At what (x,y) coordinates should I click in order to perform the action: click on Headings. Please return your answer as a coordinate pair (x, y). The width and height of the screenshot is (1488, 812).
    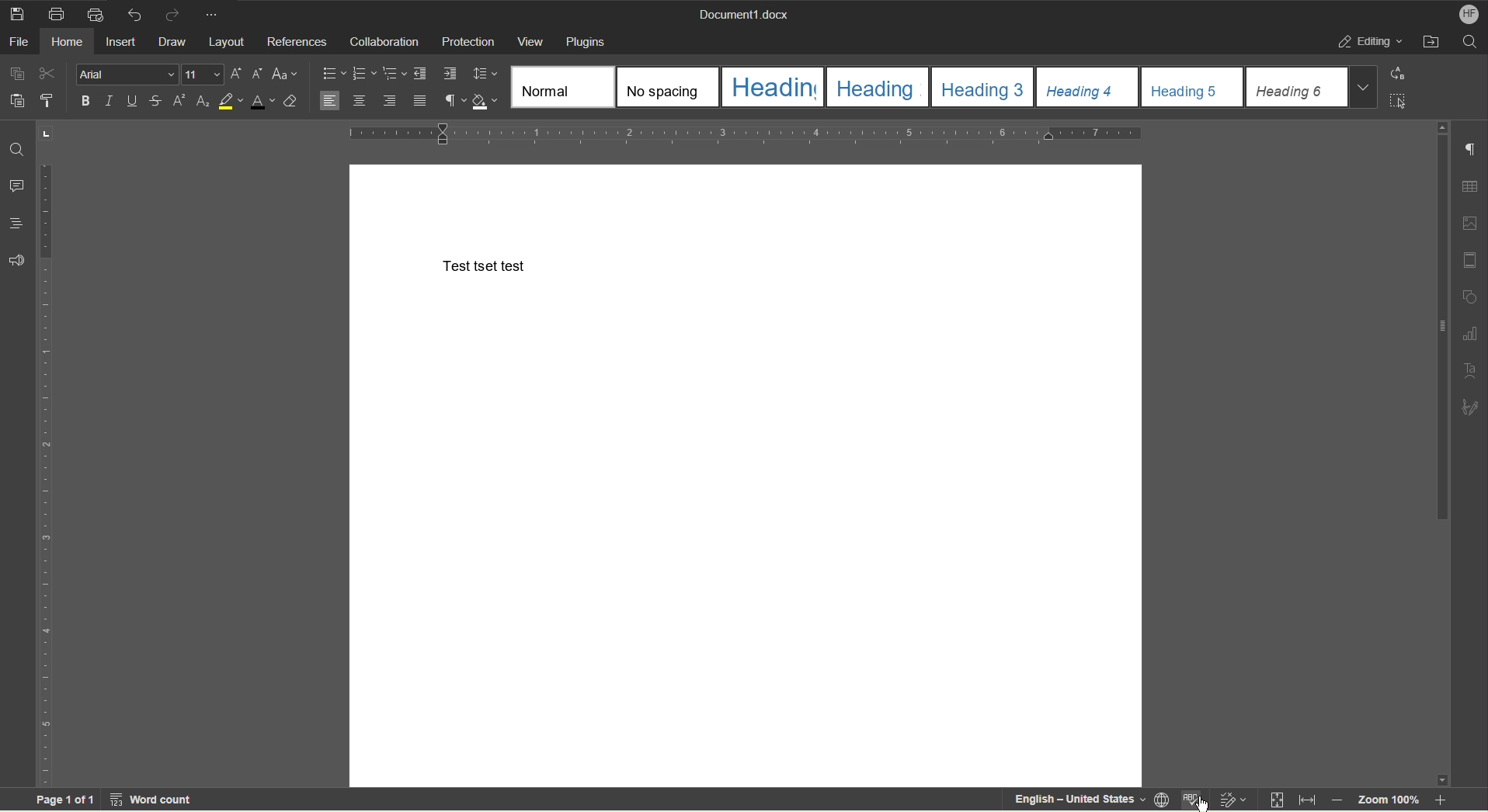
    Looking at the image, I should click on (16, 224).